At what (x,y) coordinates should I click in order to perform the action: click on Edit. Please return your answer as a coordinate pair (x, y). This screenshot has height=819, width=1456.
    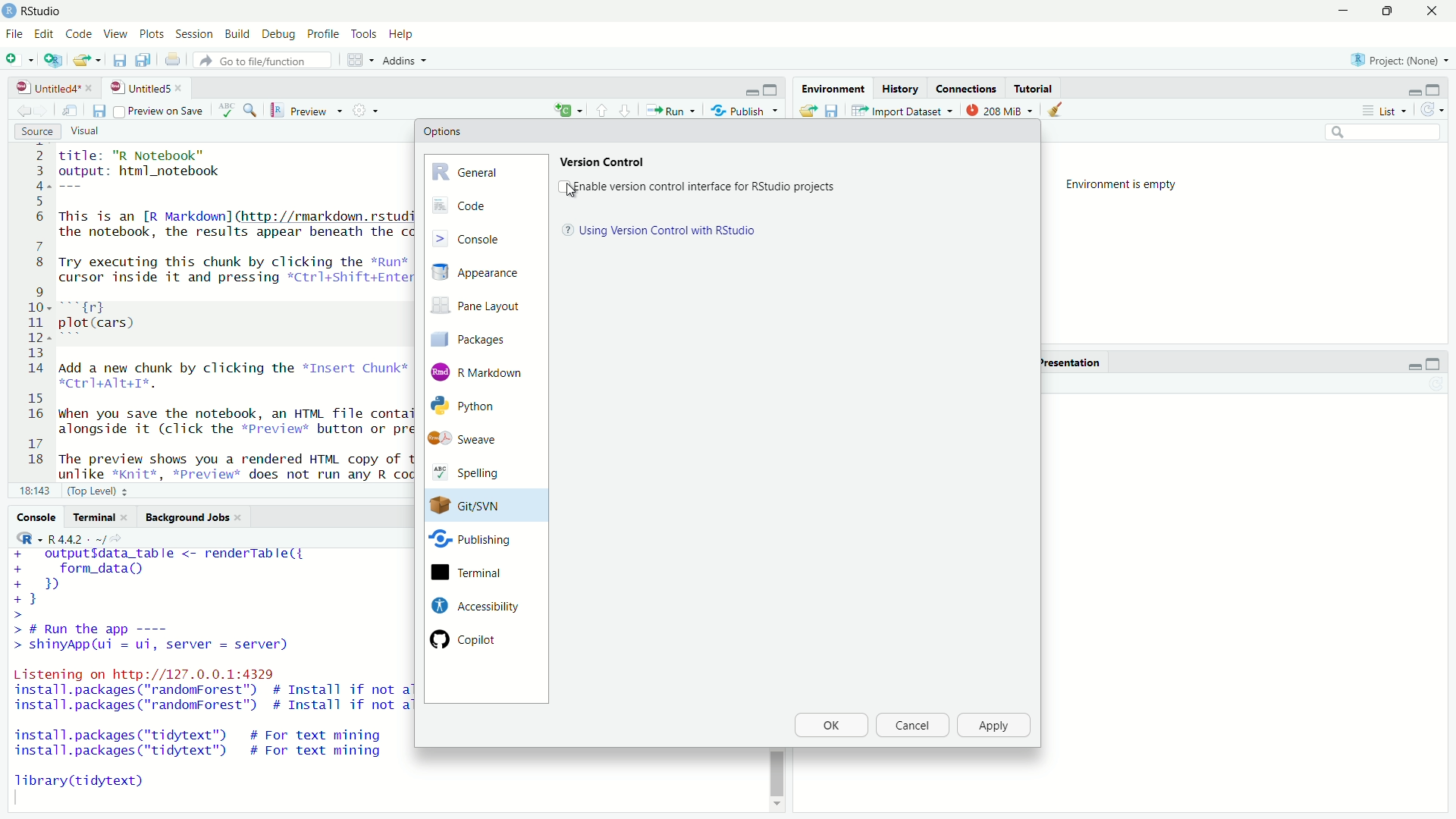
    Looking at the image, I should click on (44, 35).